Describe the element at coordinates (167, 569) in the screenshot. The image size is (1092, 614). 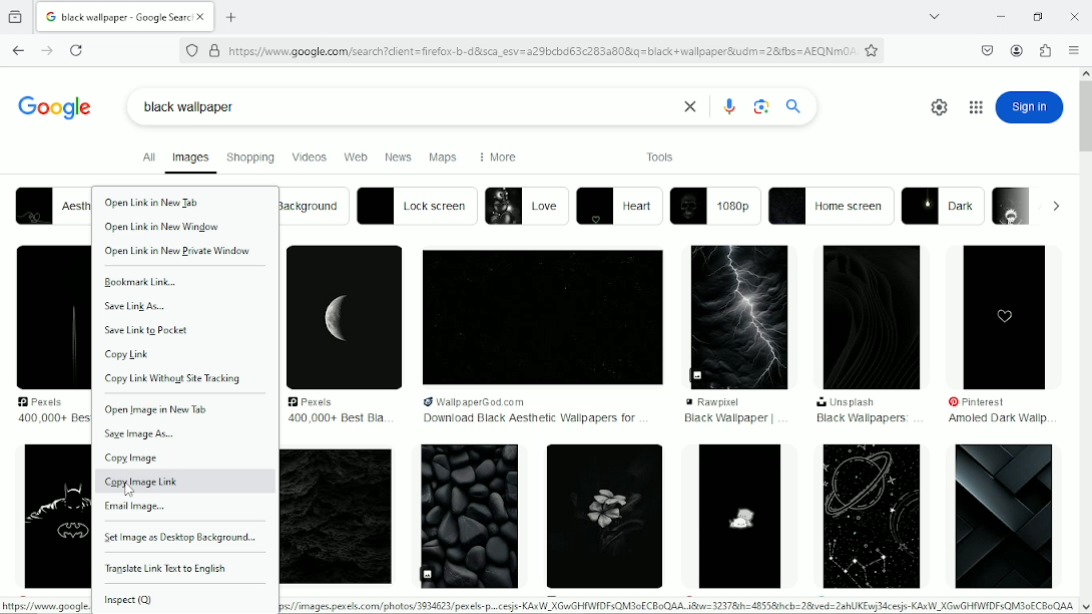
I see `translate link text to english` at that location.